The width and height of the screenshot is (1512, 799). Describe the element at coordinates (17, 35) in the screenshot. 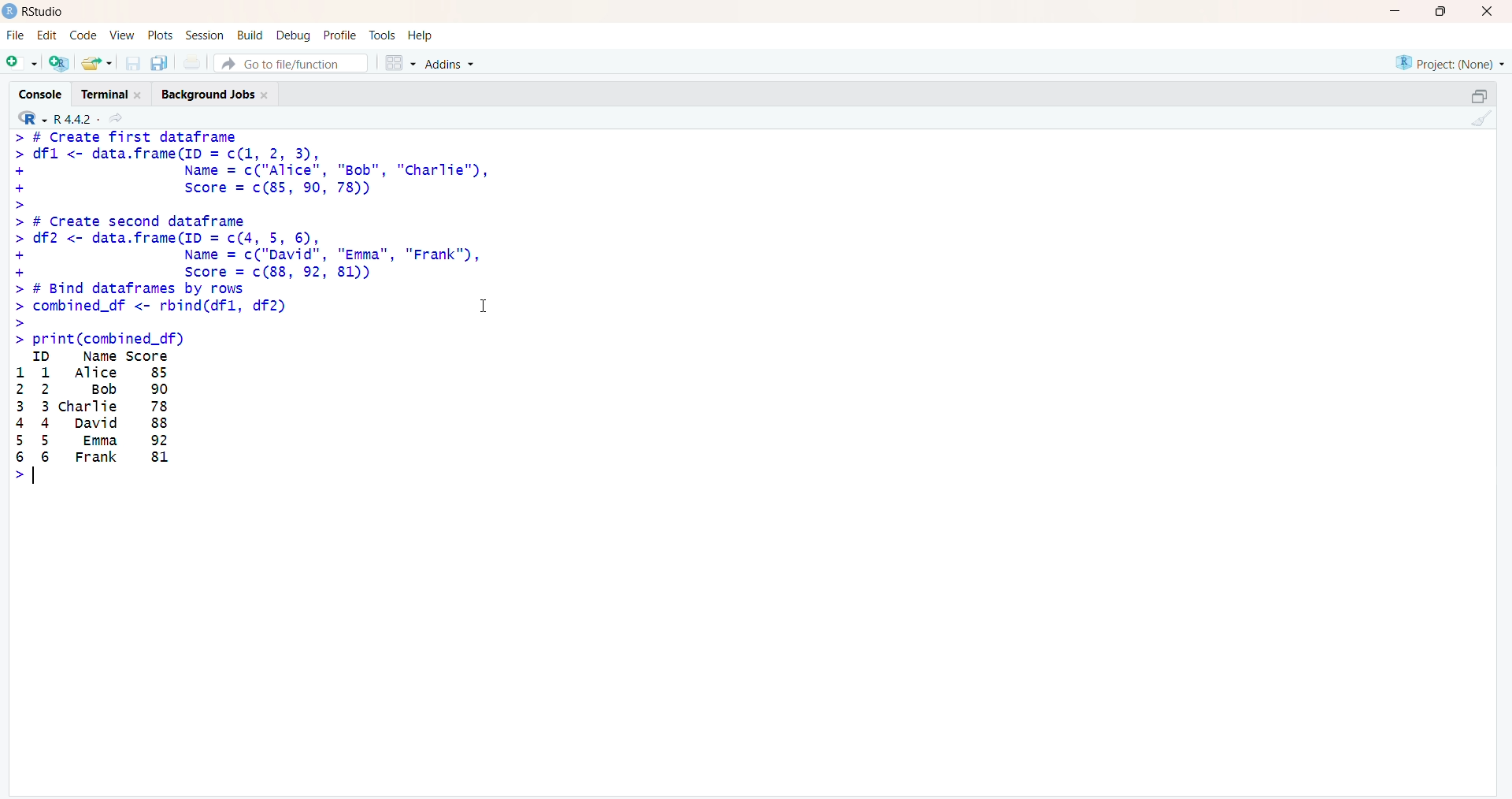

I see `File` at that location.